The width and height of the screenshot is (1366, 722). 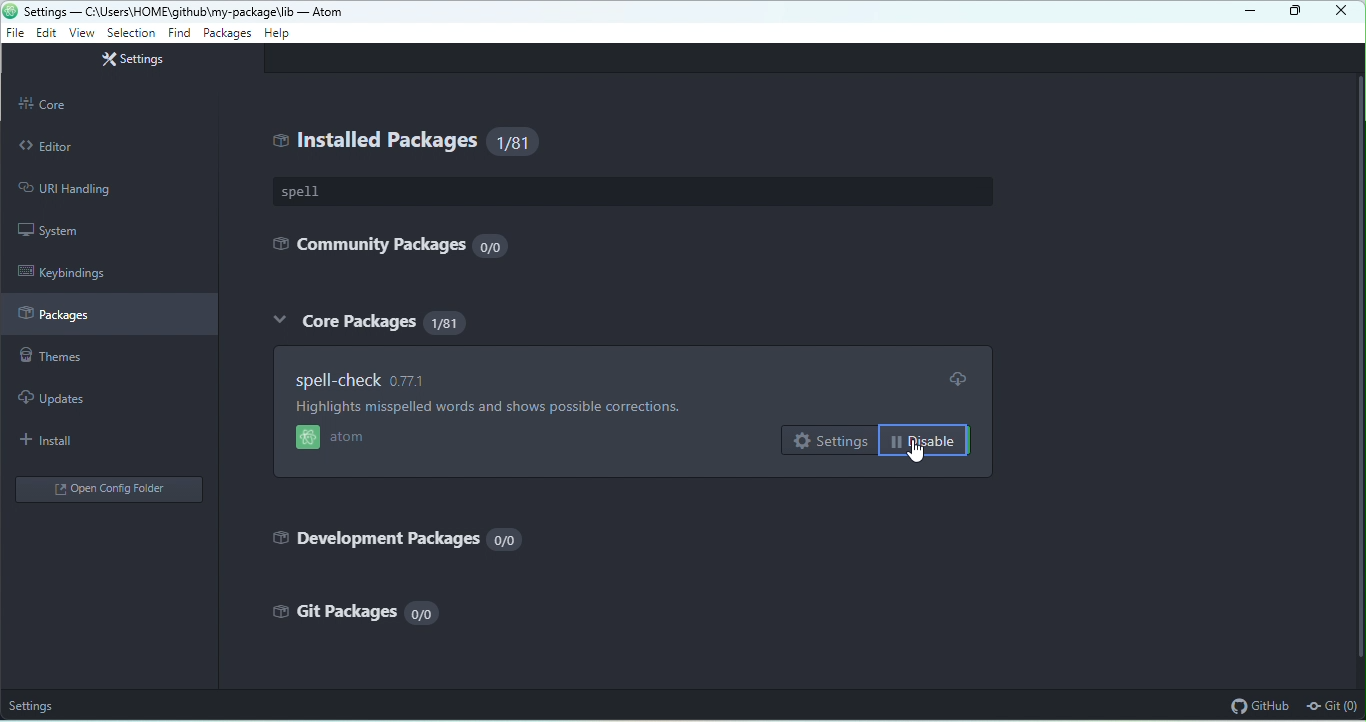 I want to click on system, so click(x=62, y=231).